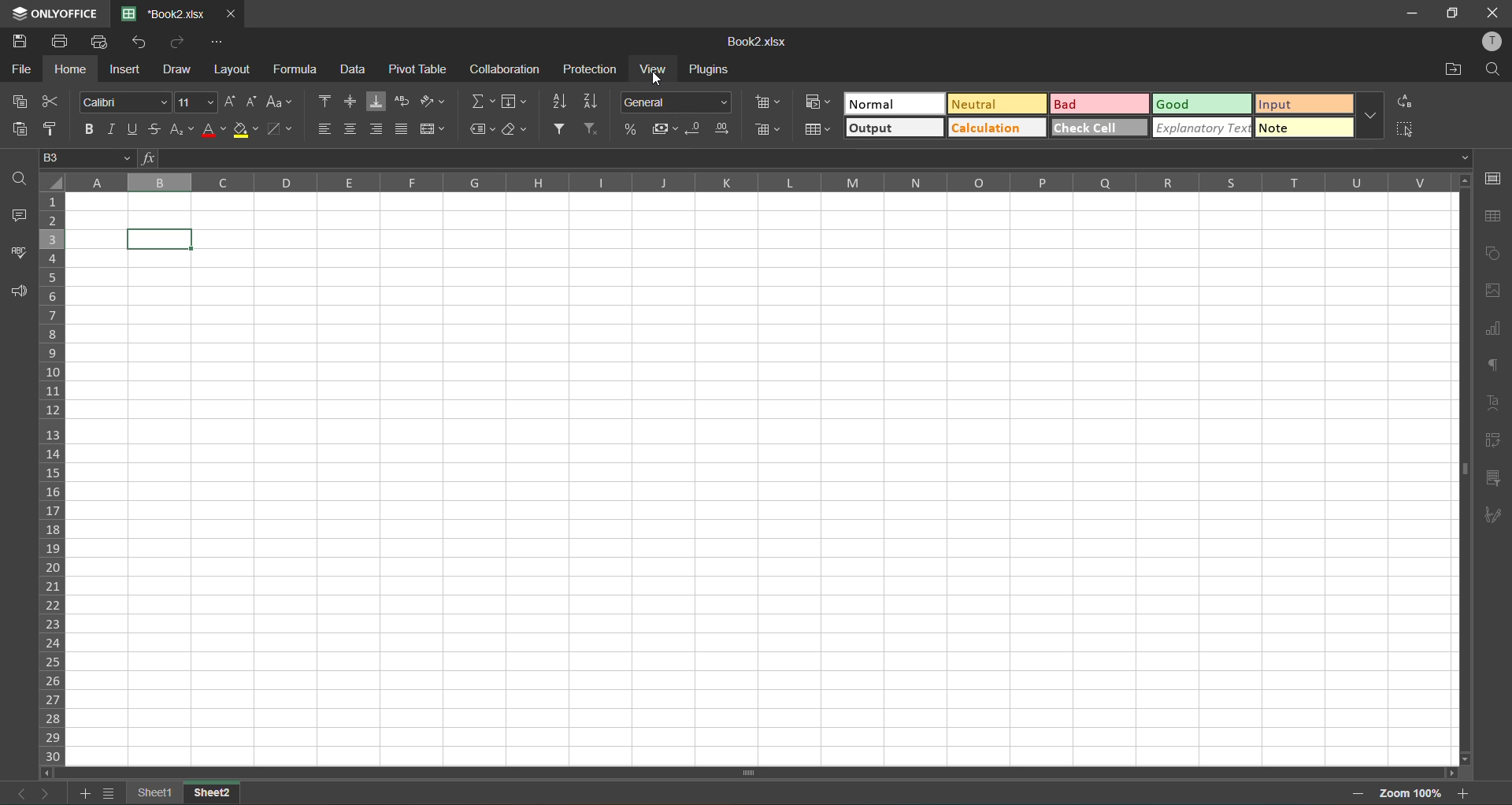  What do you see at coordinates (506, 69) in the screenshot?
I see `collaboration` at bounding box center [506, 69].